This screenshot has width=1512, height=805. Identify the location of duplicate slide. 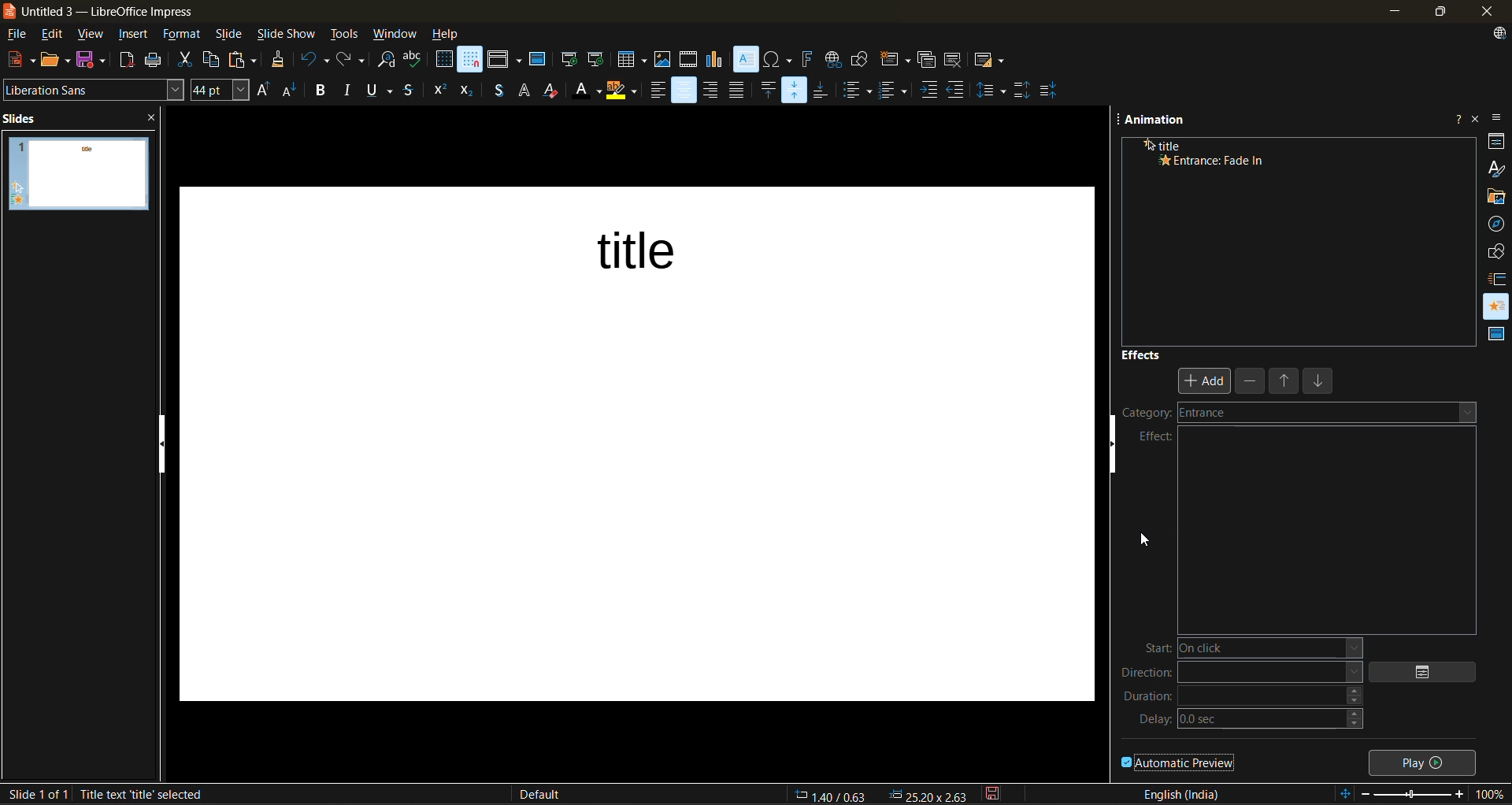
(927, 62).